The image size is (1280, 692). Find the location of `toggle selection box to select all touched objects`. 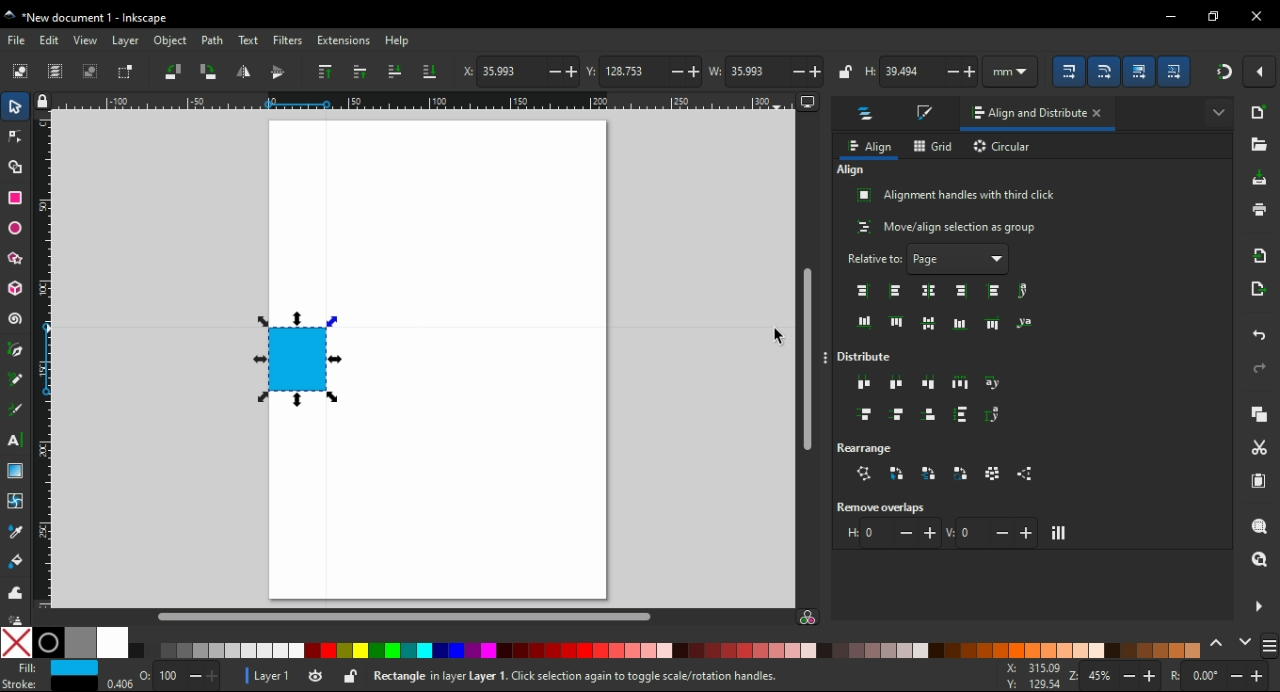

toggle selection box to select all touched objects is located at coordinates (126, 72).